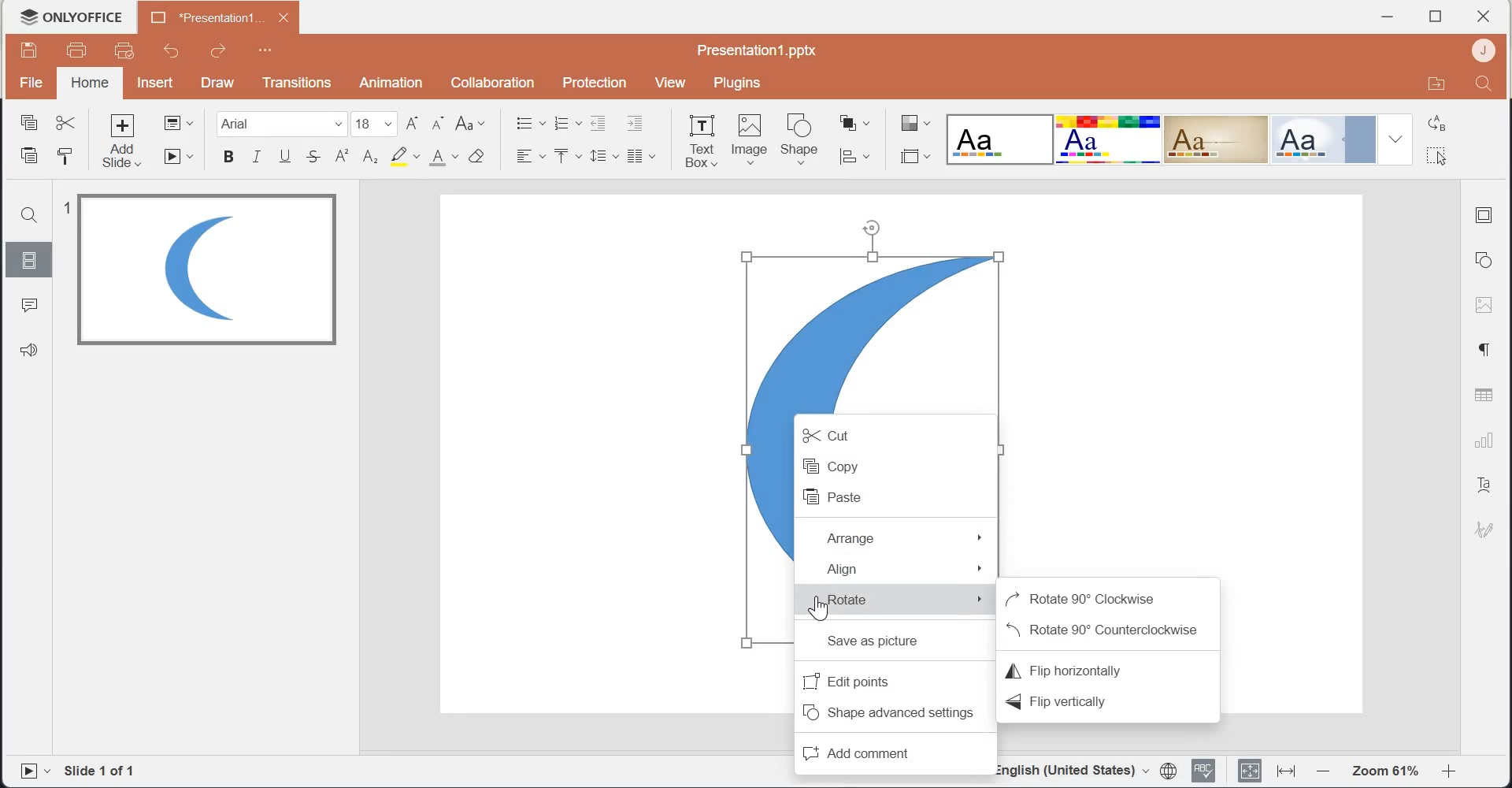 This screenshot has width=1512, height=788. I want to click on Logo, so click(70, 17).